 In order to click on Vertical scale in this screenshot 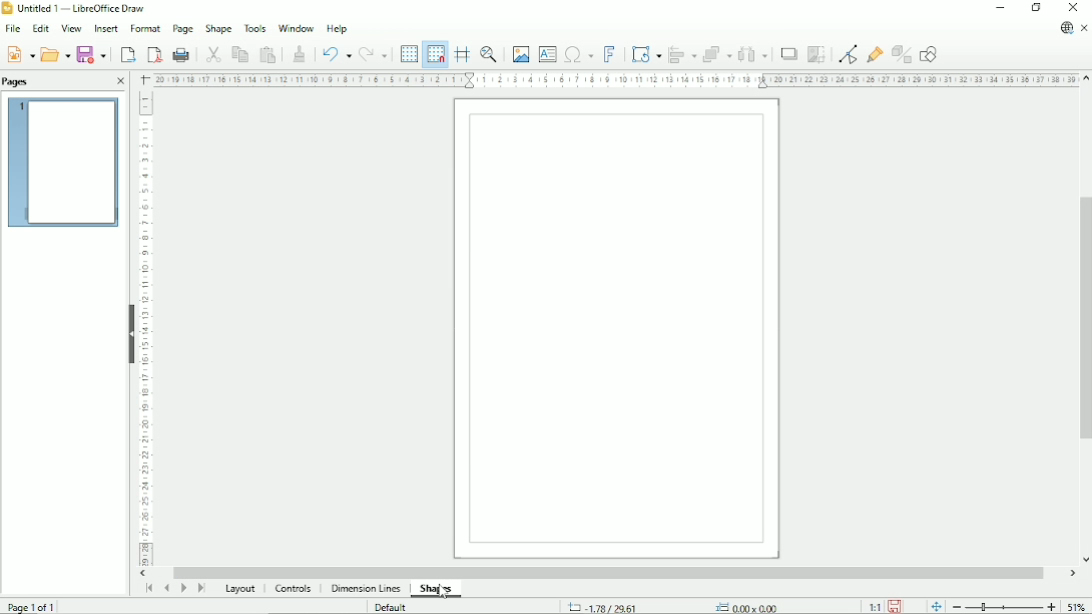, I will do `click(147, 330)`.